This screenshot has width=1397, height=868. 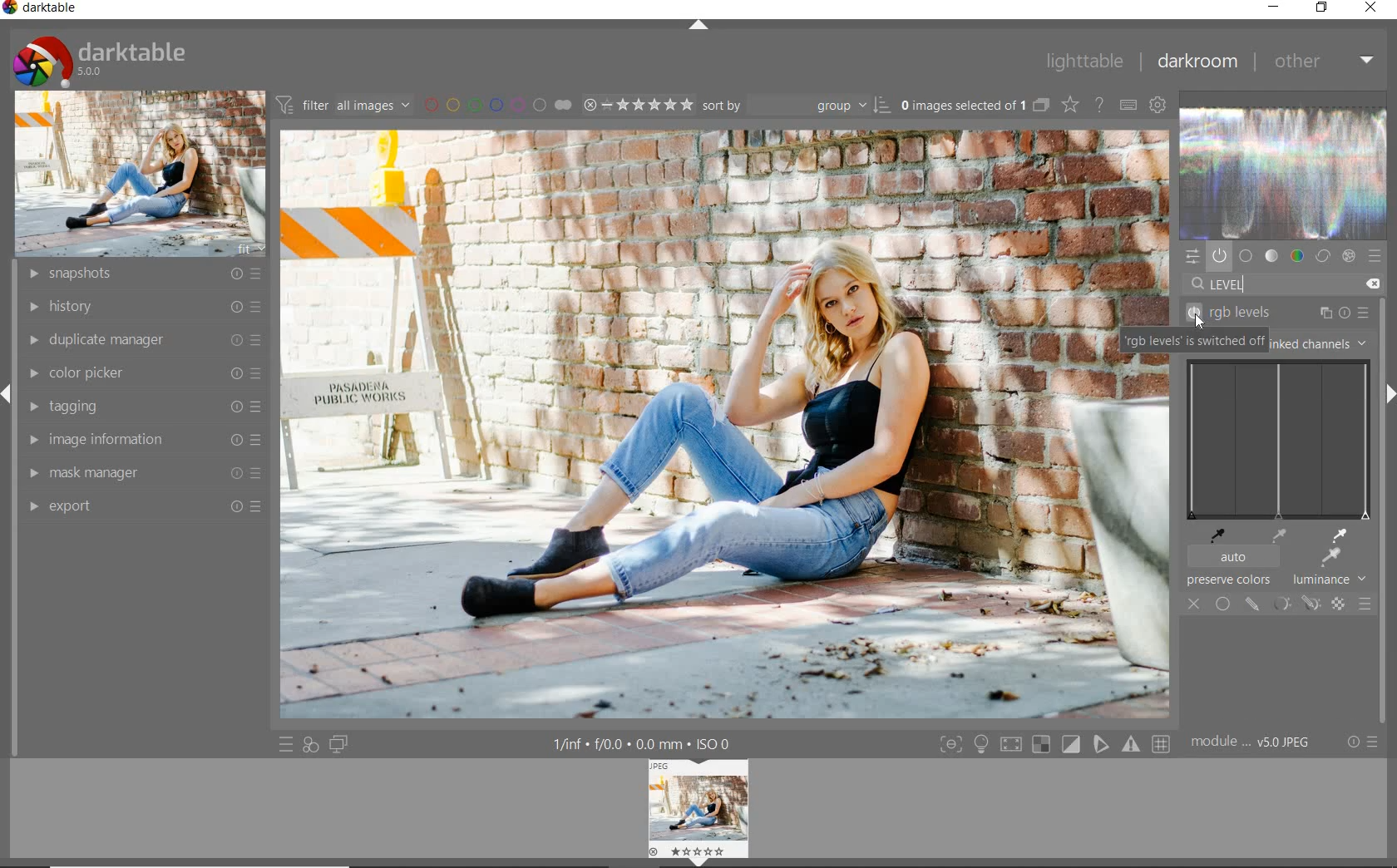 I want to click on Sort, so click(x=797, y=106).